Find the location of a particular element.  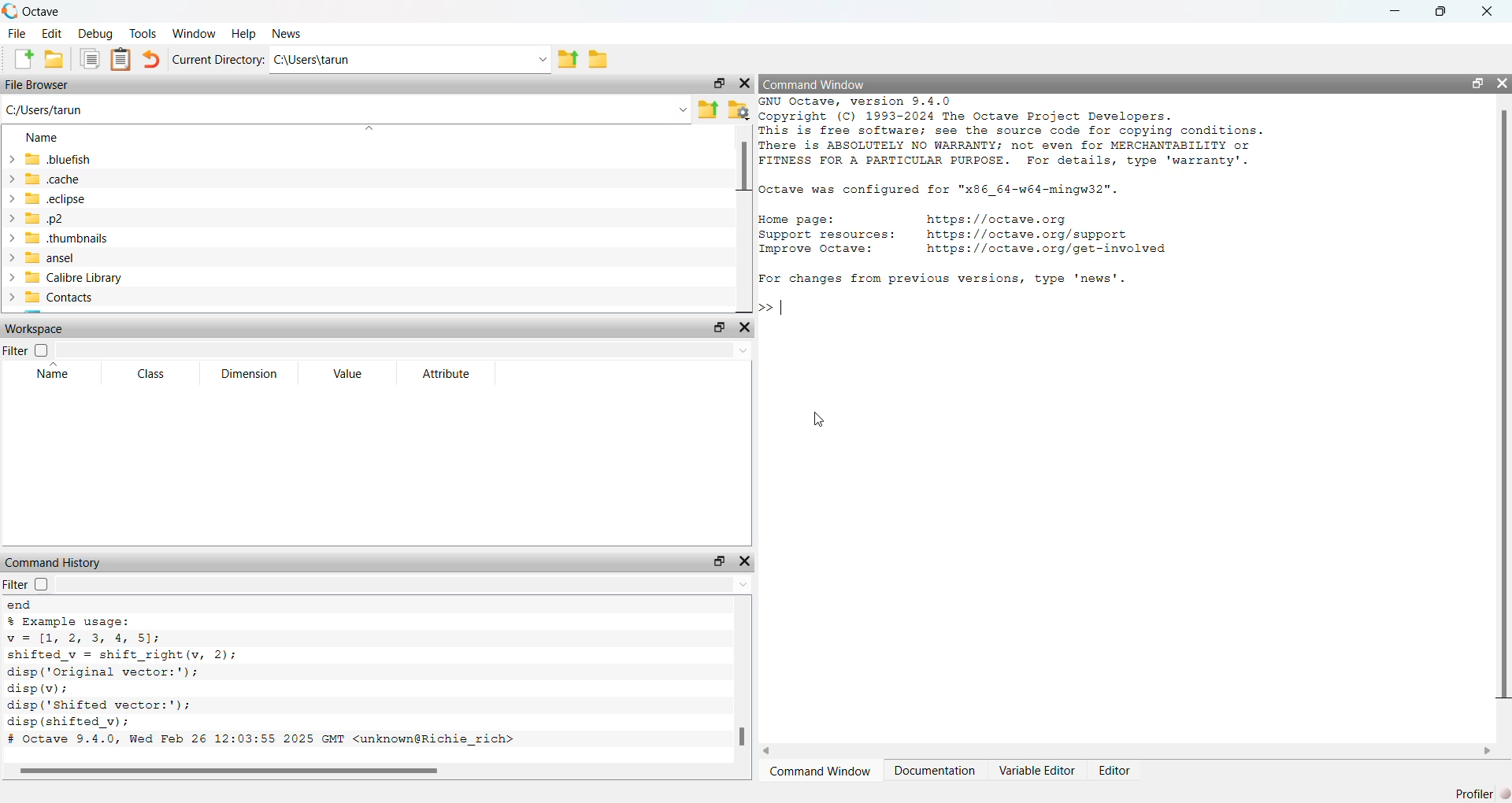

new script is located at coordinates (18, 61).